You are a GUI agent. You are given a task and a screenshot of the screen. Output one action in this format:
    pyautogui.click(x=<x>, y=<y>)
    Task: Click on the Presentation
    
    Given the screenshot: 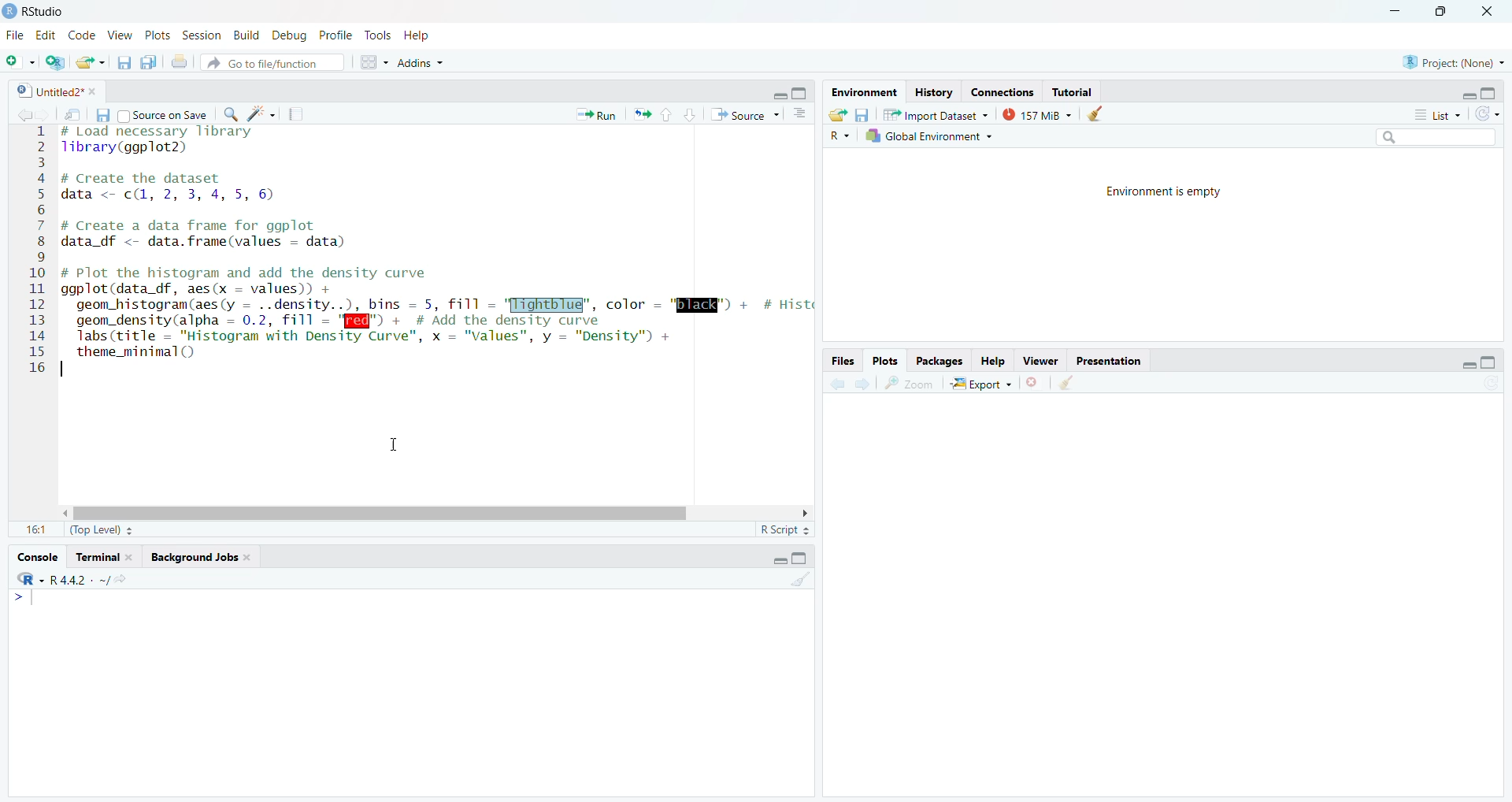 What is the action you would take?
    pyautogui.click(x=1110, y=360)
    